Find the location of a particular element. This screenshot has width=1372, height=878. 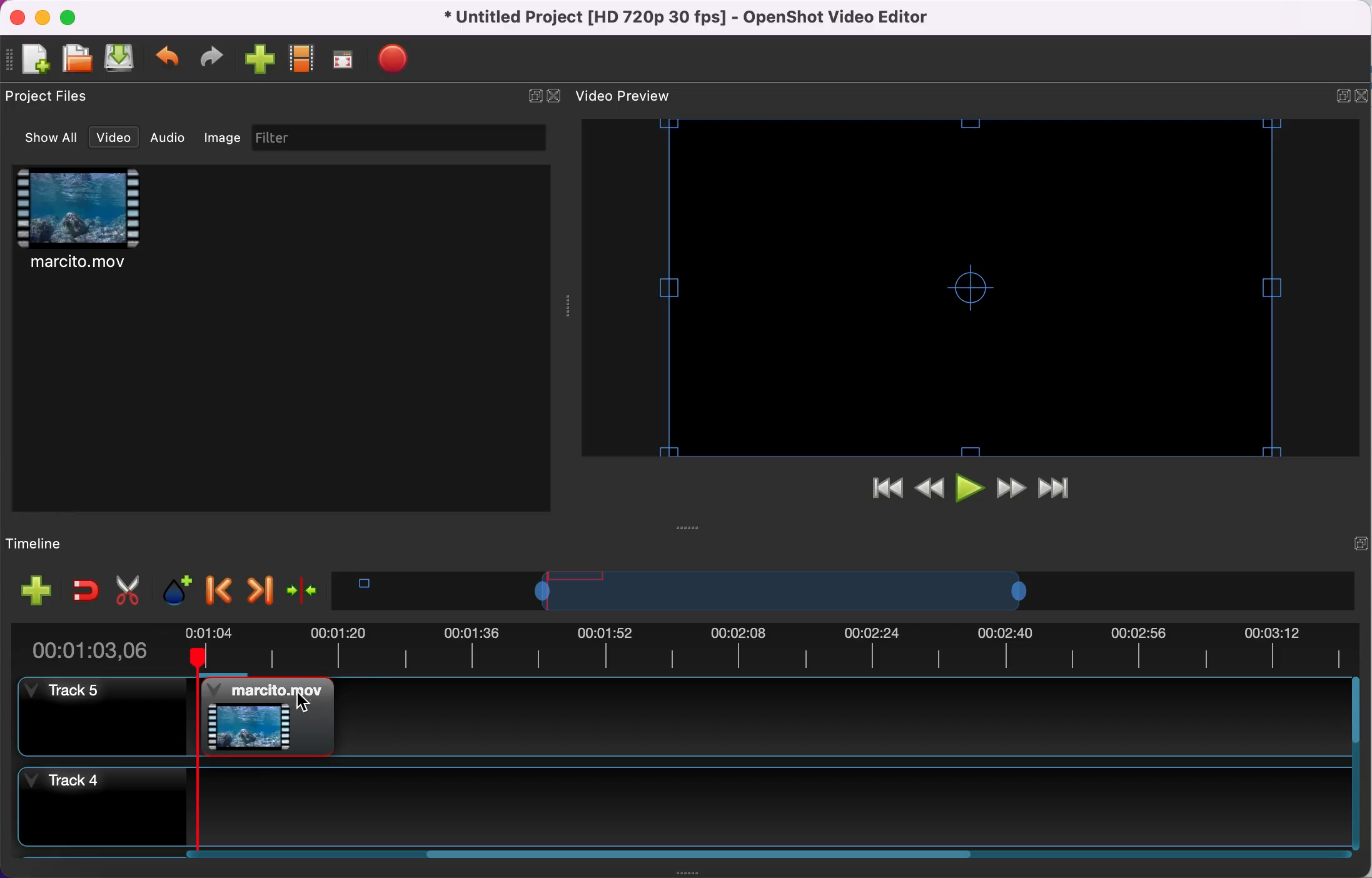

image is located at coordinates (218, 136).